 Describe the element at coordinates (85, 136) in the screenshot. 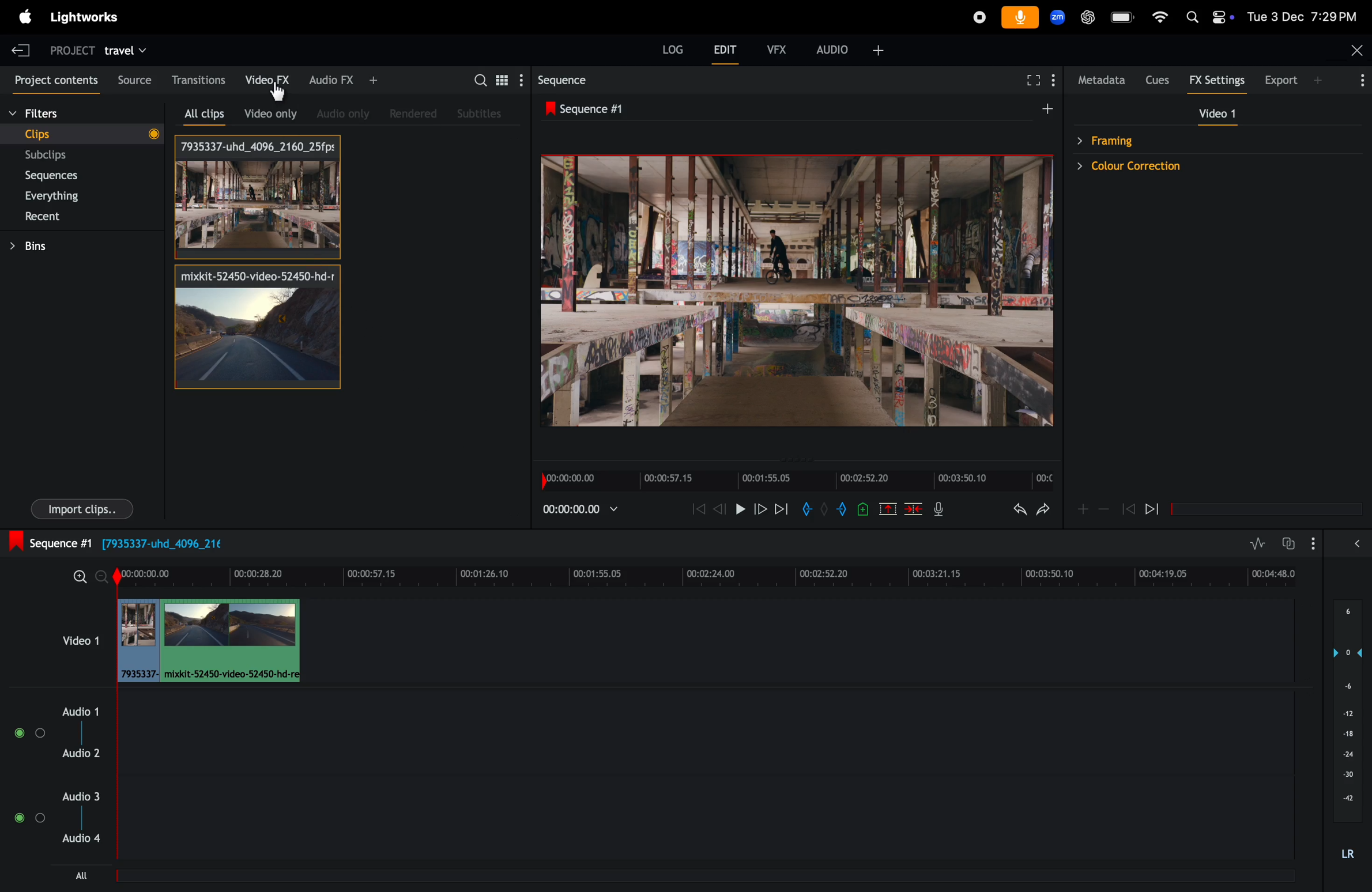

I see `clips` at that location.